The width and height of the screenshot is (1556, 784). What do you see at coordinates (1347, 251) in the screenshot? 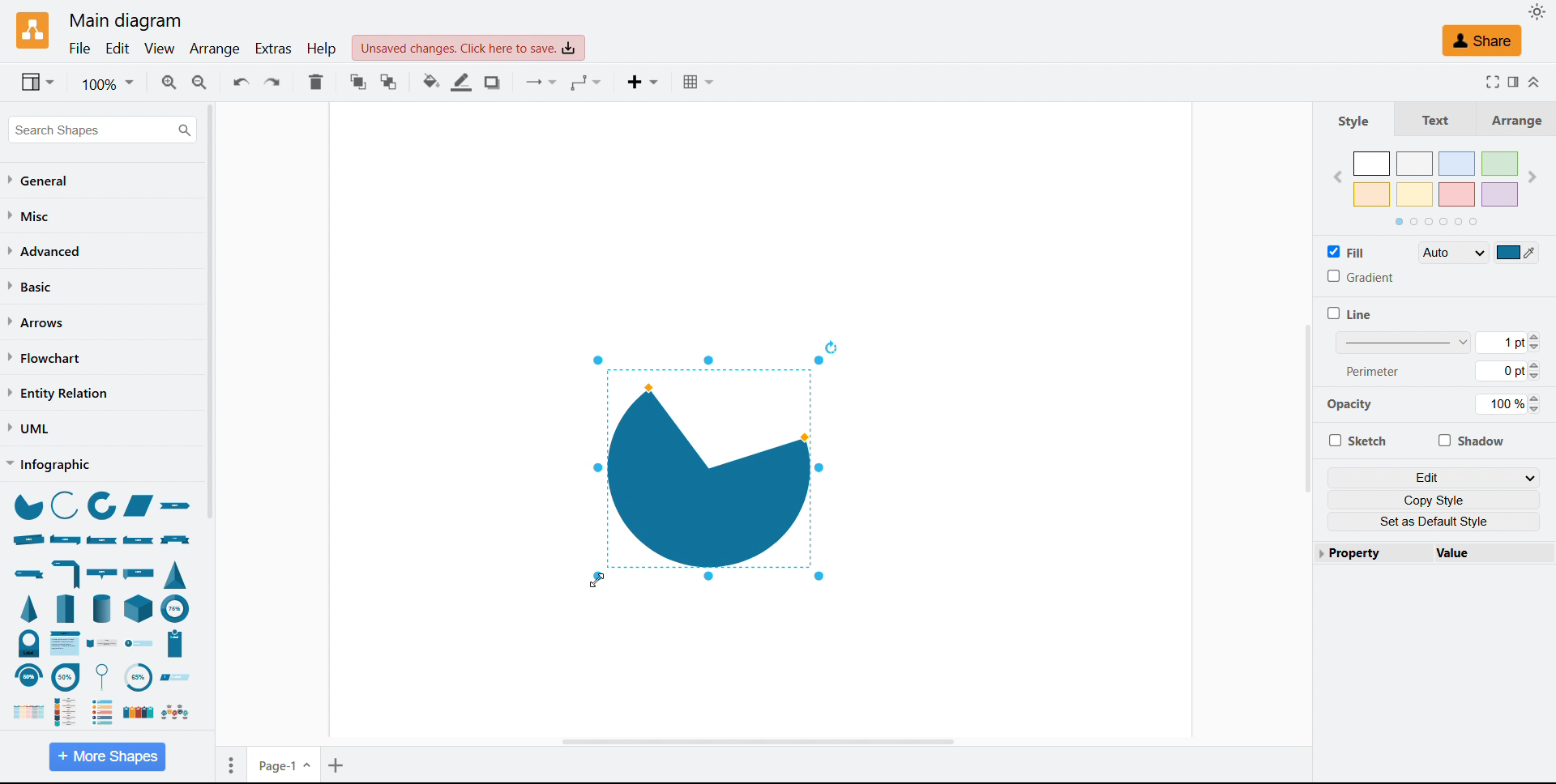
I see `fill ` at bounding box center [1347, 251].